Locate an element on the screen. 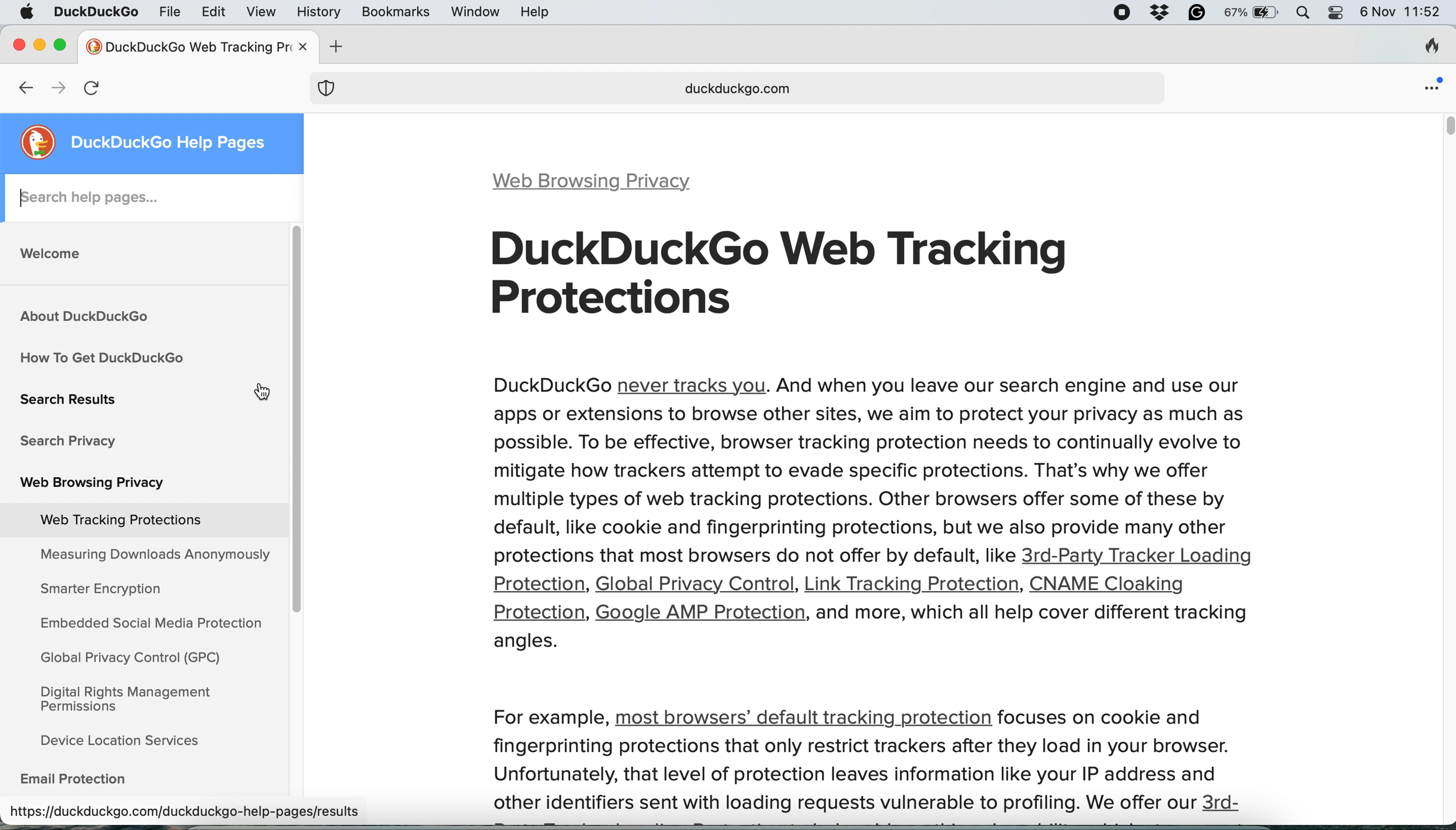 This screenshot has width=1456, height=830. bookmarks is located at coordinates (393, 12).